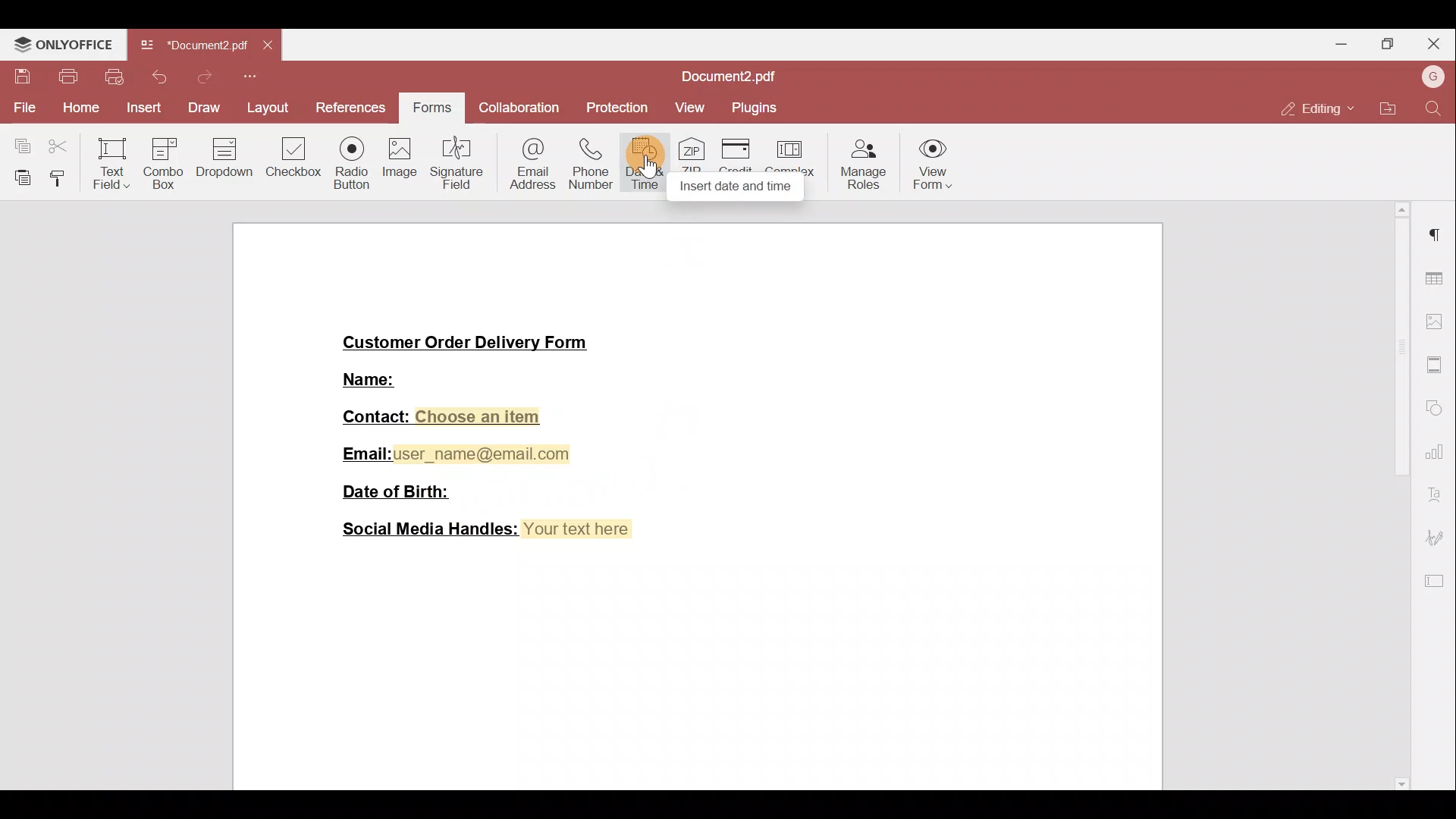 The image size is (1456, 819). I want to click on Manage roles, so click(864, 167).